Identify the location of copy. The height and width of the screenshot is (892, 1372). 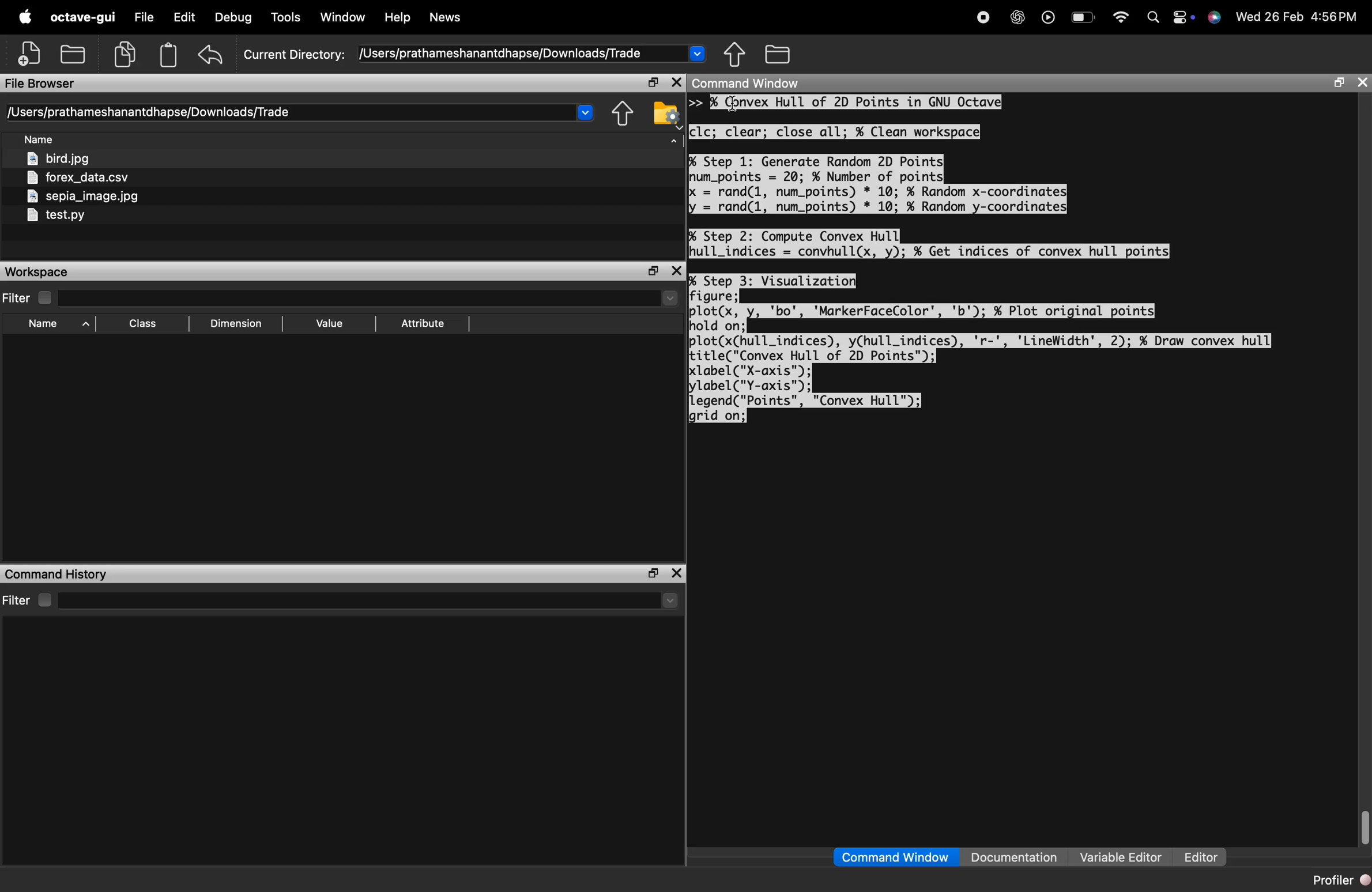
(126, 54).